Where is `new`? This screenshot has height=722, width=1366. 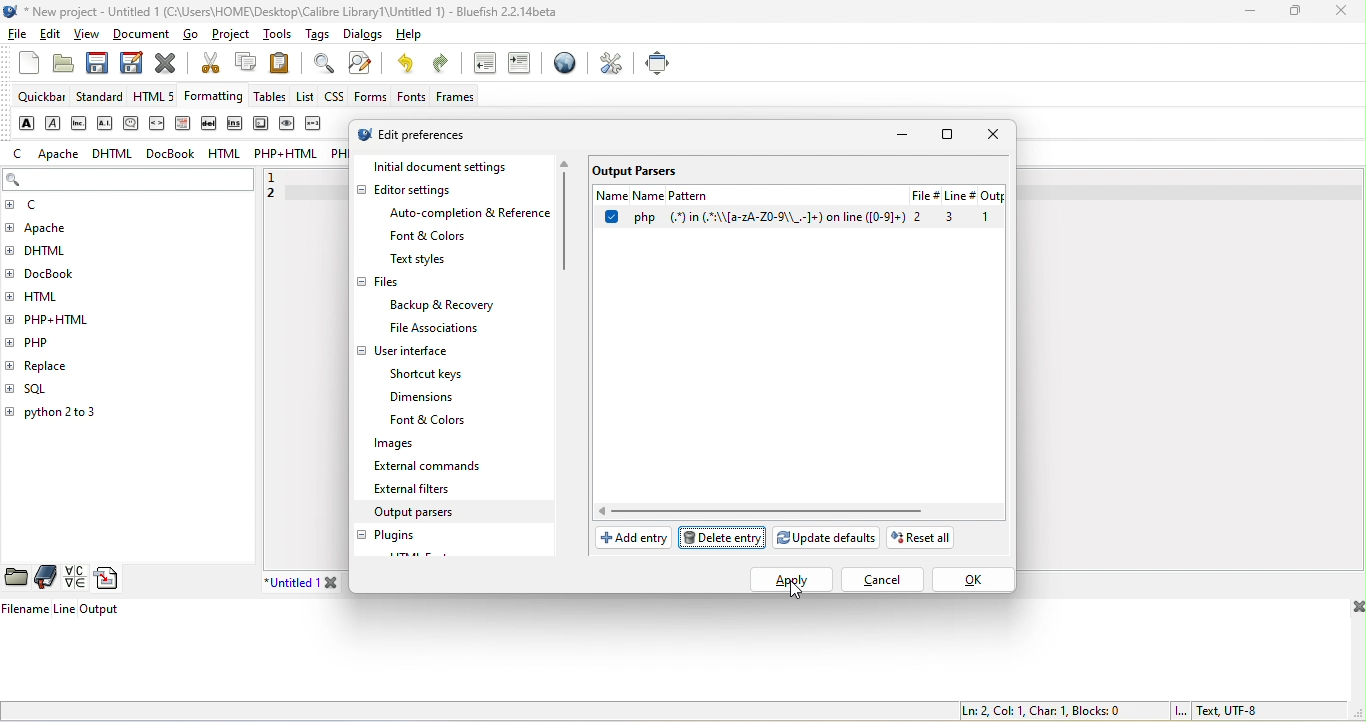
new is located at coordinates (20, 65).